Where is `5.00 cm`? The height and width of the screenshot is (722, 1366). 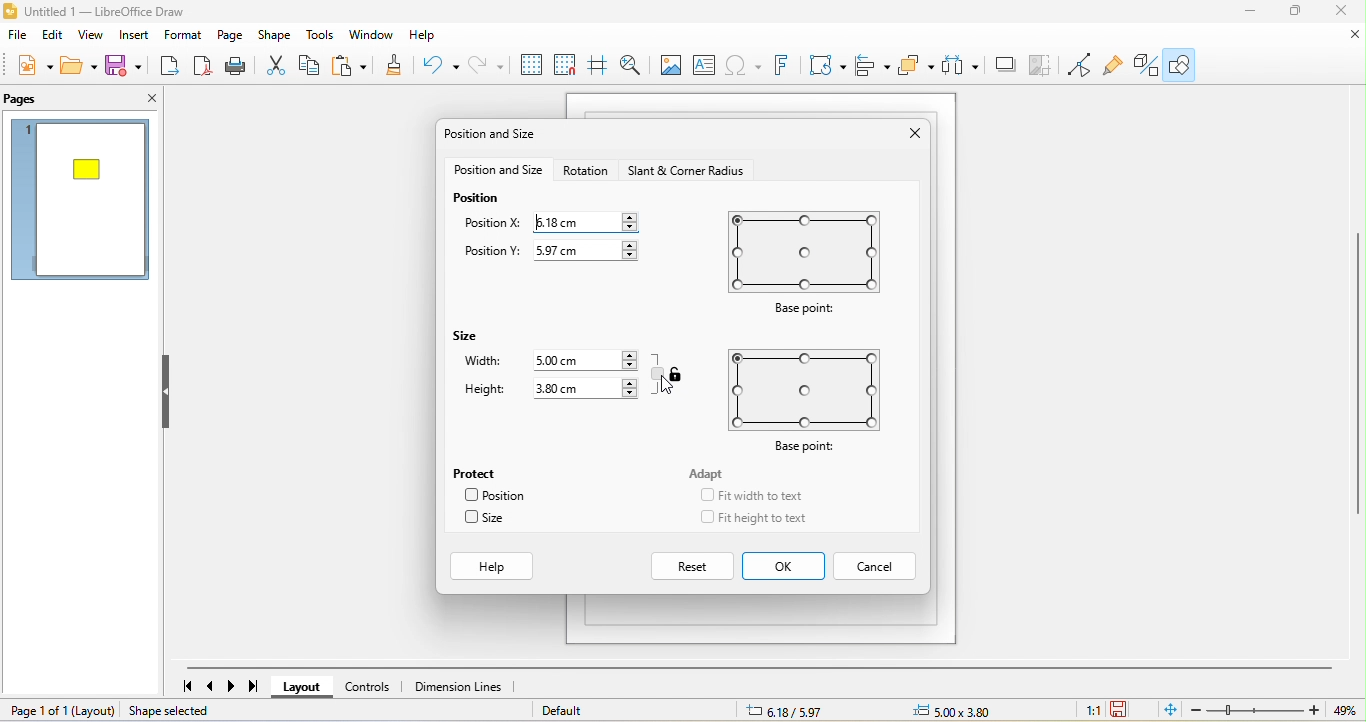
5.00 cm is located at coordinates (581, 359).